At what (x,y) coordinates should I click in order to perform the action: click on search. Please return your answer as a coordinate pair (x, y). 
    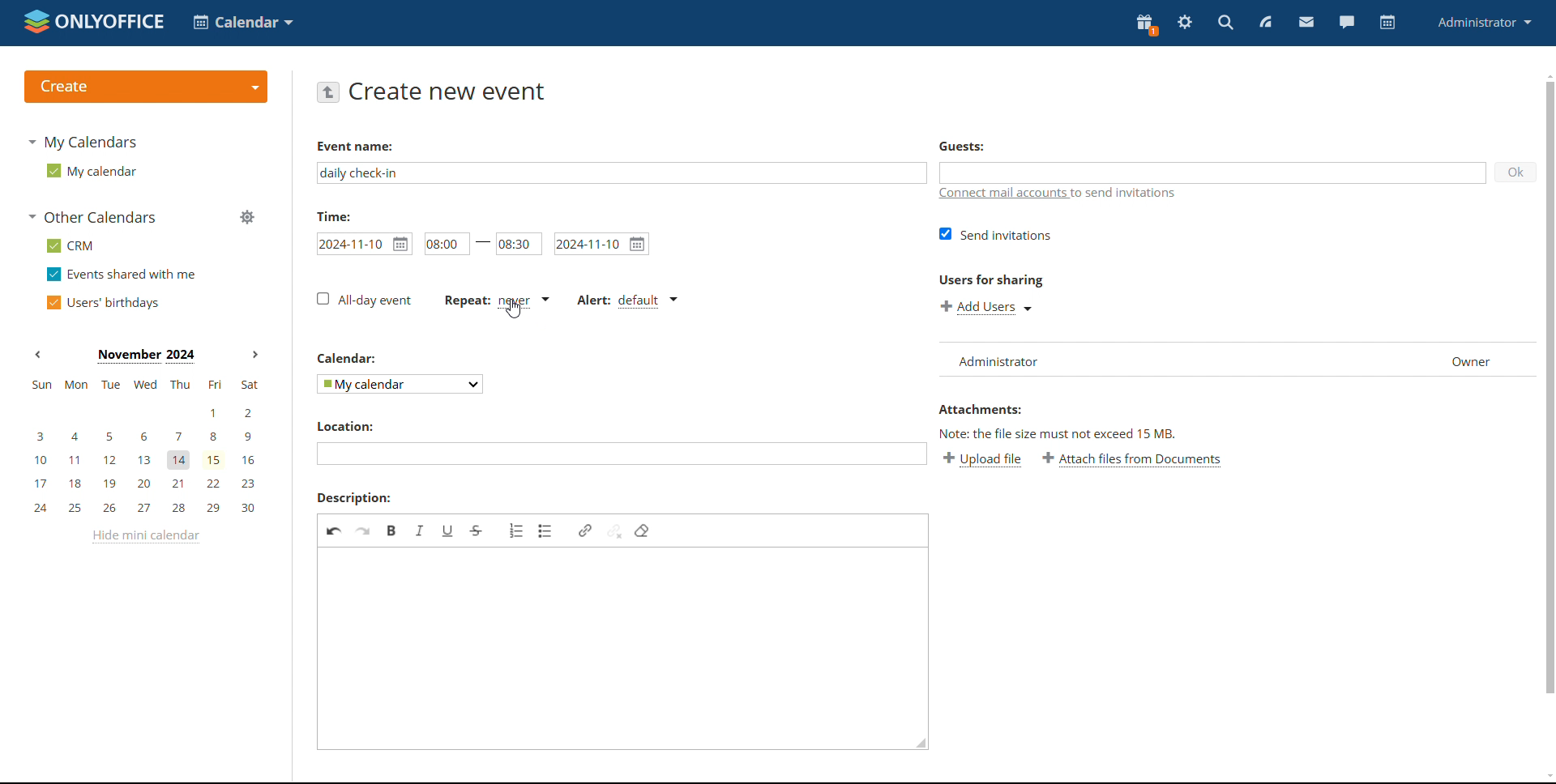
    Looking at the image, I should click on (1225, 23).